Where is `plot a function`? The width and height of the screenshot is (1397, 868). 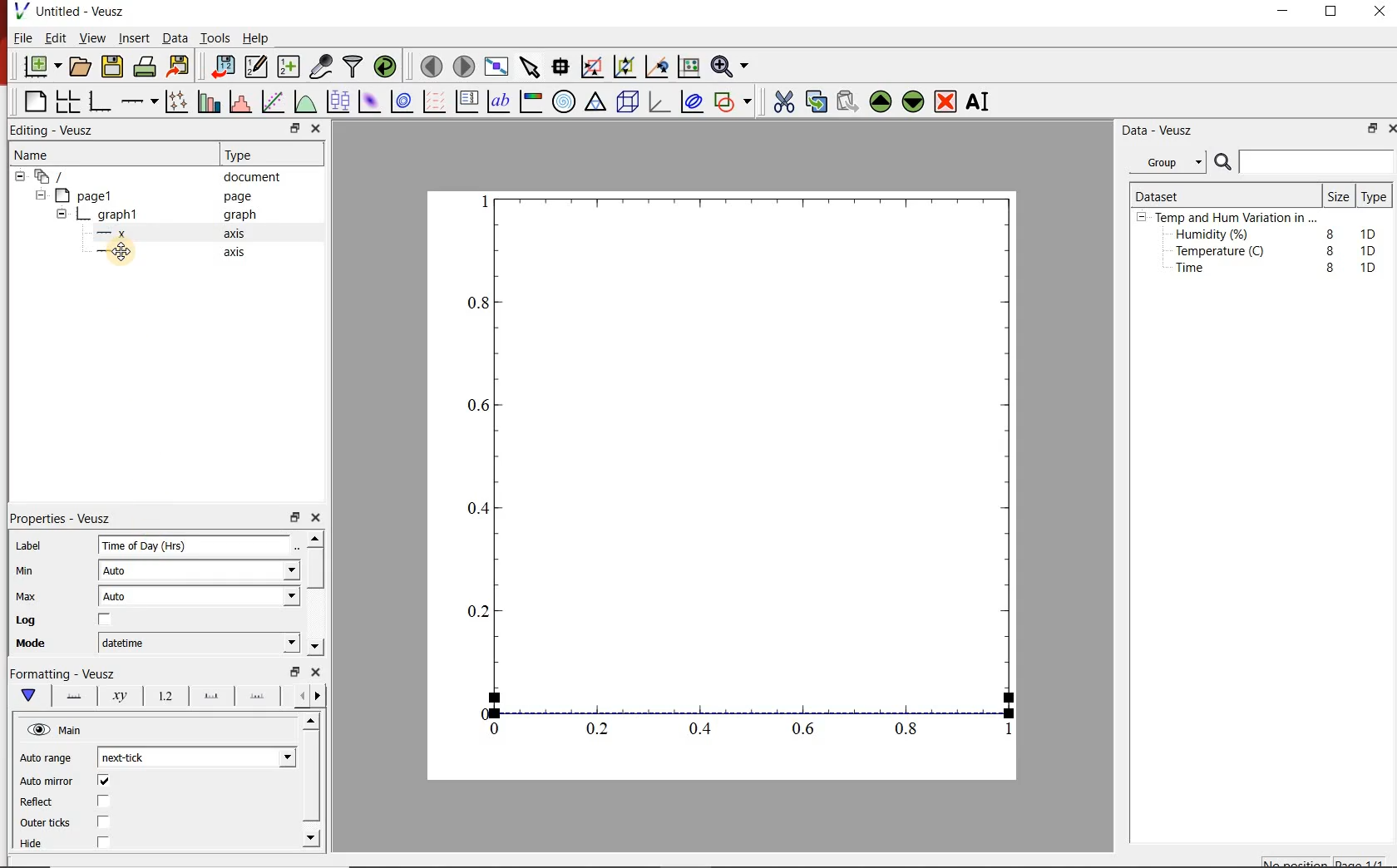
plot a function is located at coordinates (307, 104).